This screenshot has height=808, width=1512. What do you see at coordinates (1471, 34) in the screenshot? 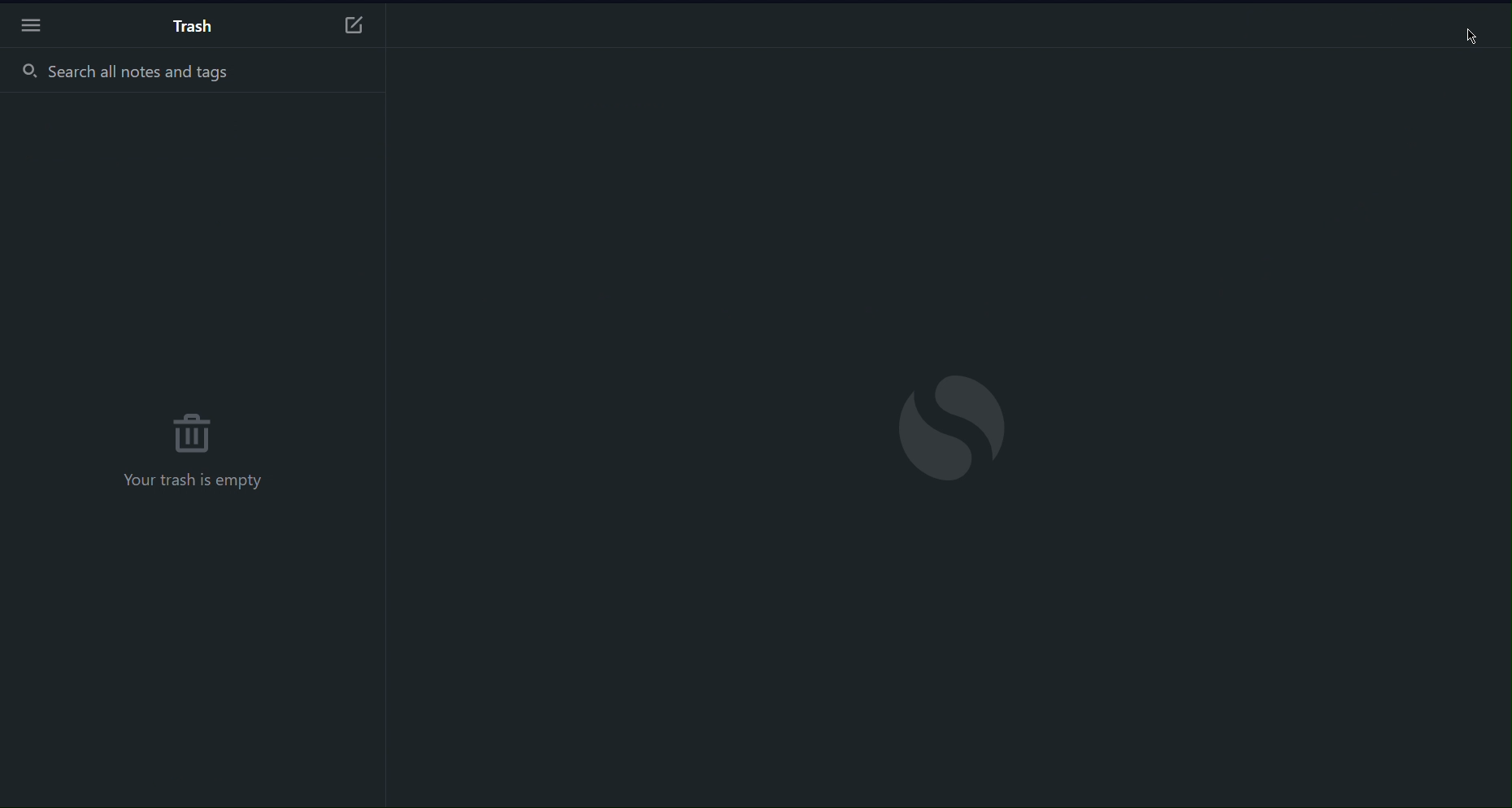
I see `Cursor` at bounding box center [1471, 34].